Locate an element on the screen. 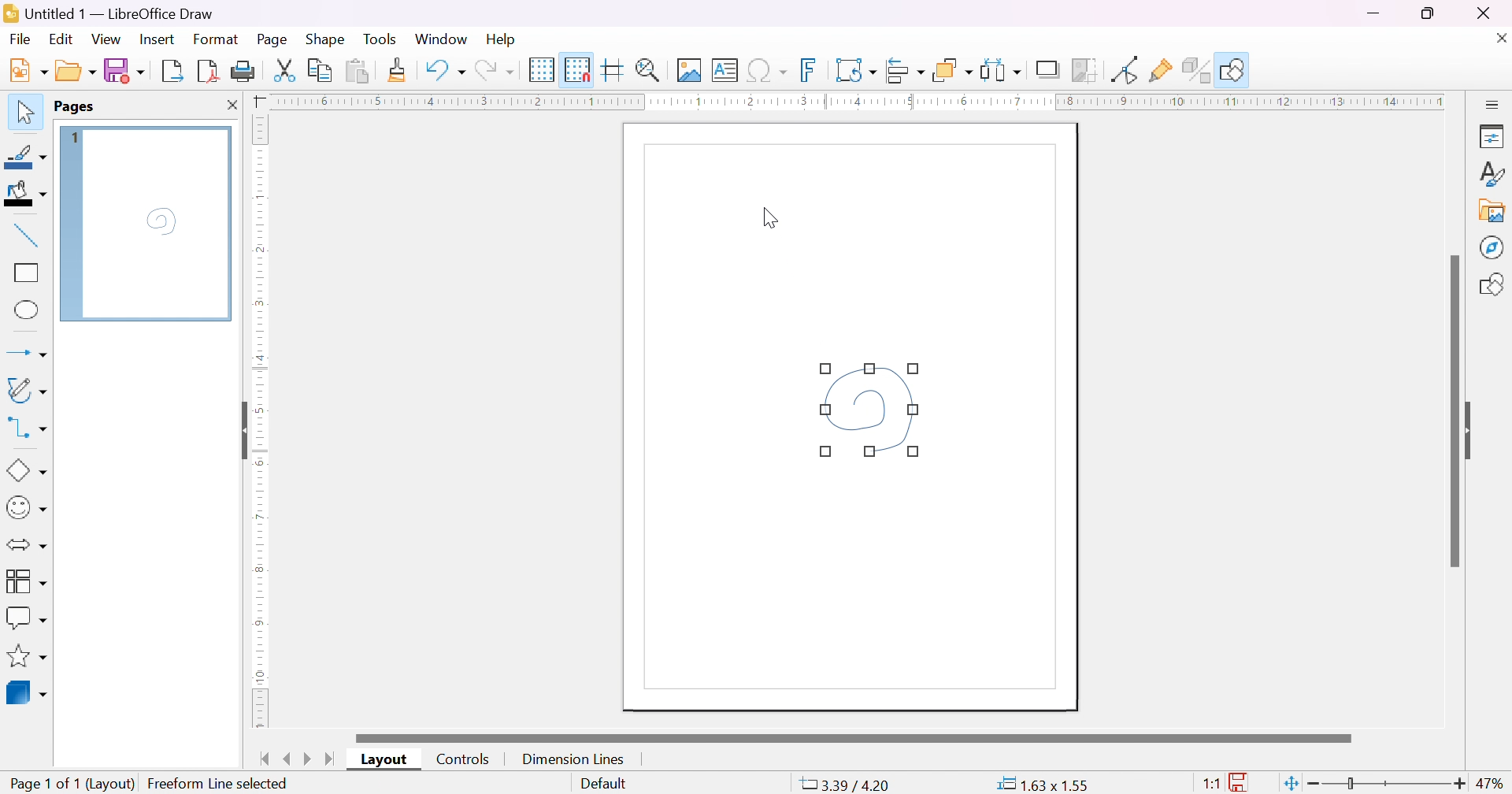  pages is located at coordinates (75, 107).